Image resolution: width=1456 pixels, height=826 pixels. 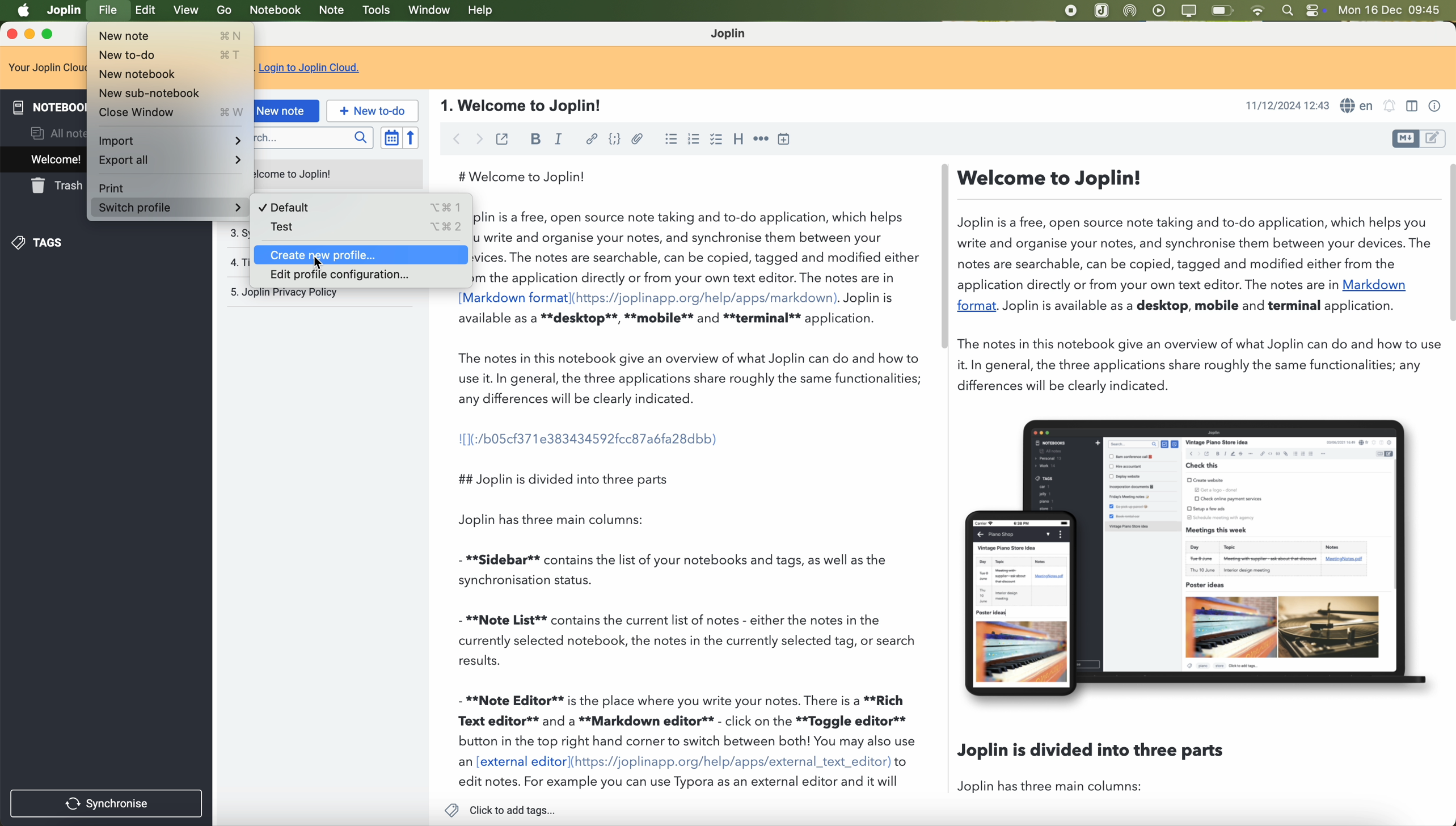 I want to click on hyperlink, so click(x=592, y=140).